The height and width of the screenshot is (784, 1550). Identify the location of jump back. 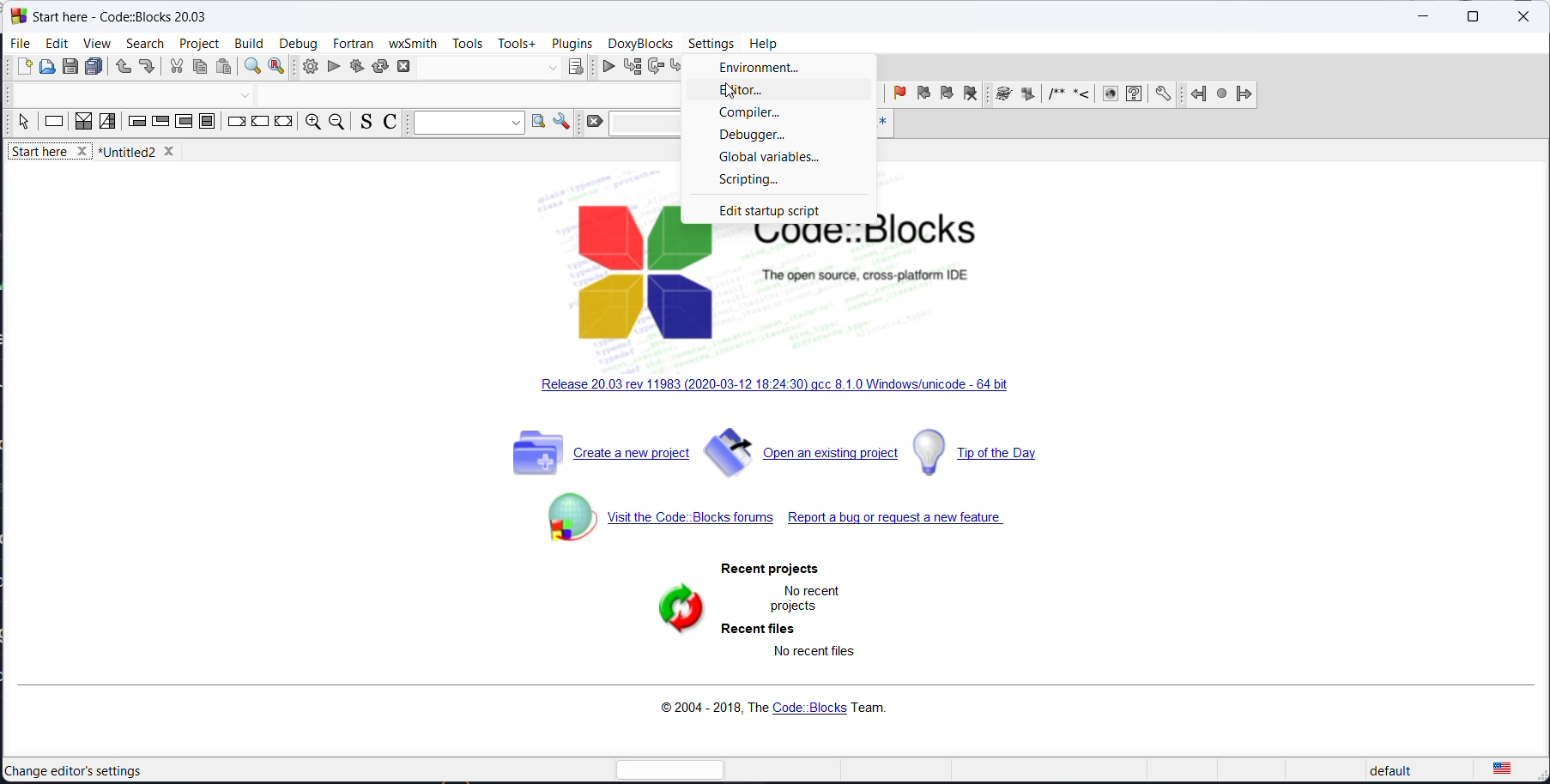
(1195, 94).